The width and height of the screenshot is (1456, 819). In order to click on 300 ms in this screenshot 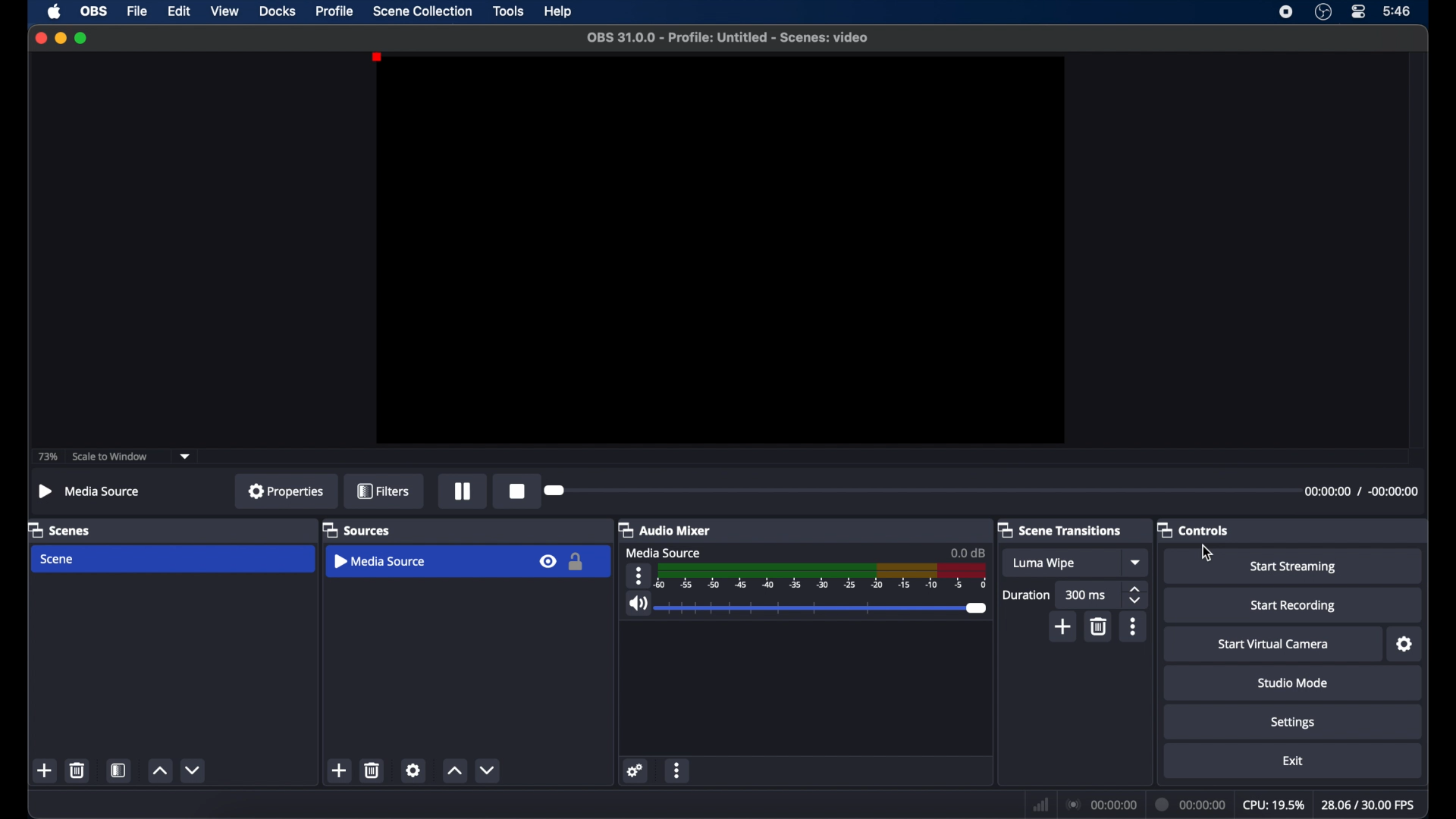, I will do `click(1087, 595)`.